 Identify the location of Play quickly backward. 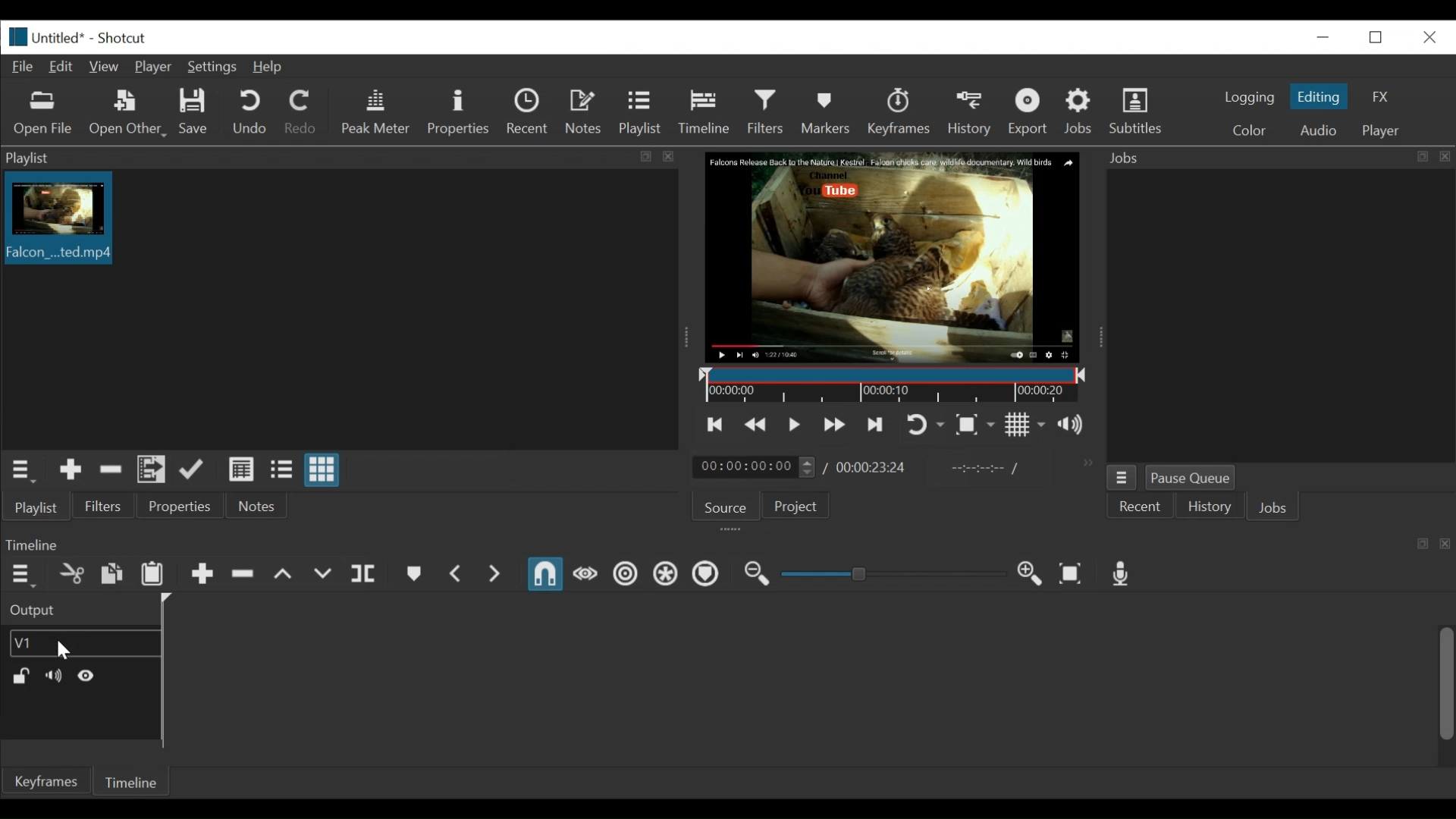
(757, 425).